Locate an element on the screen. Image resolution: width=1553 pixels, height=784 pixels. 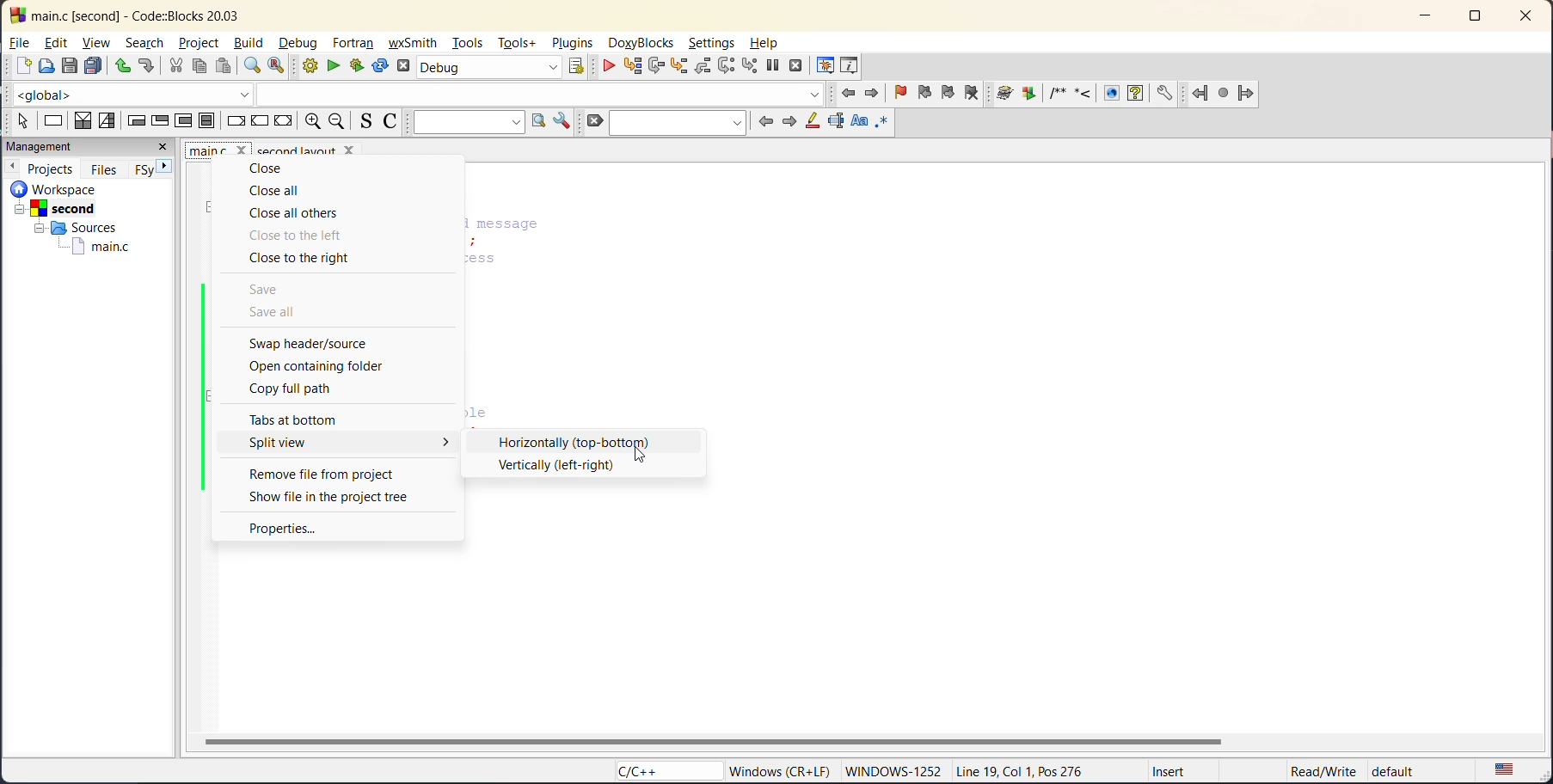
project is located at coordinates (203, 45).